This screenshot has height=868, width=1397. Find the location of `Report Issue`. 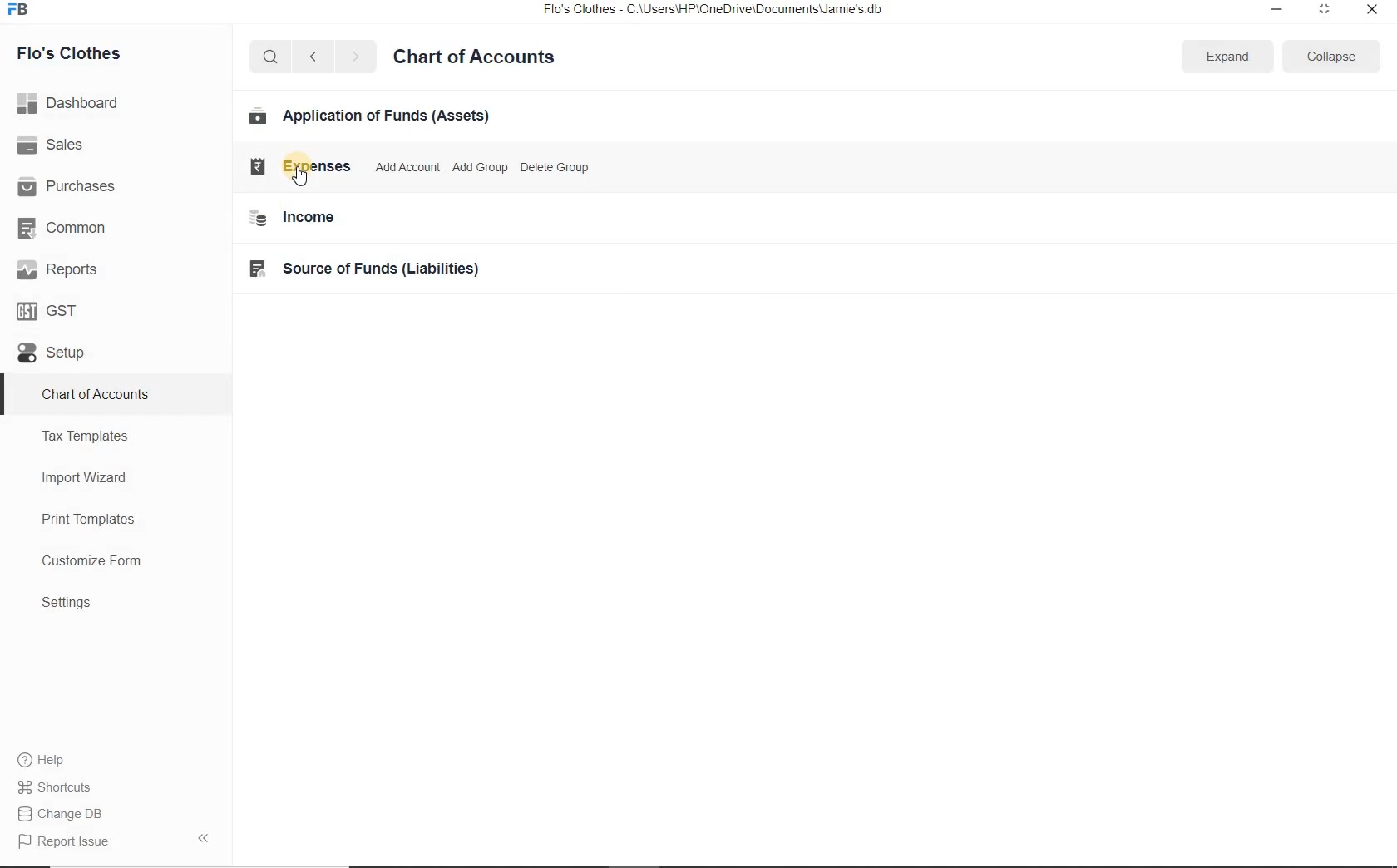

Report Issue is located at coordinates (60, 842).